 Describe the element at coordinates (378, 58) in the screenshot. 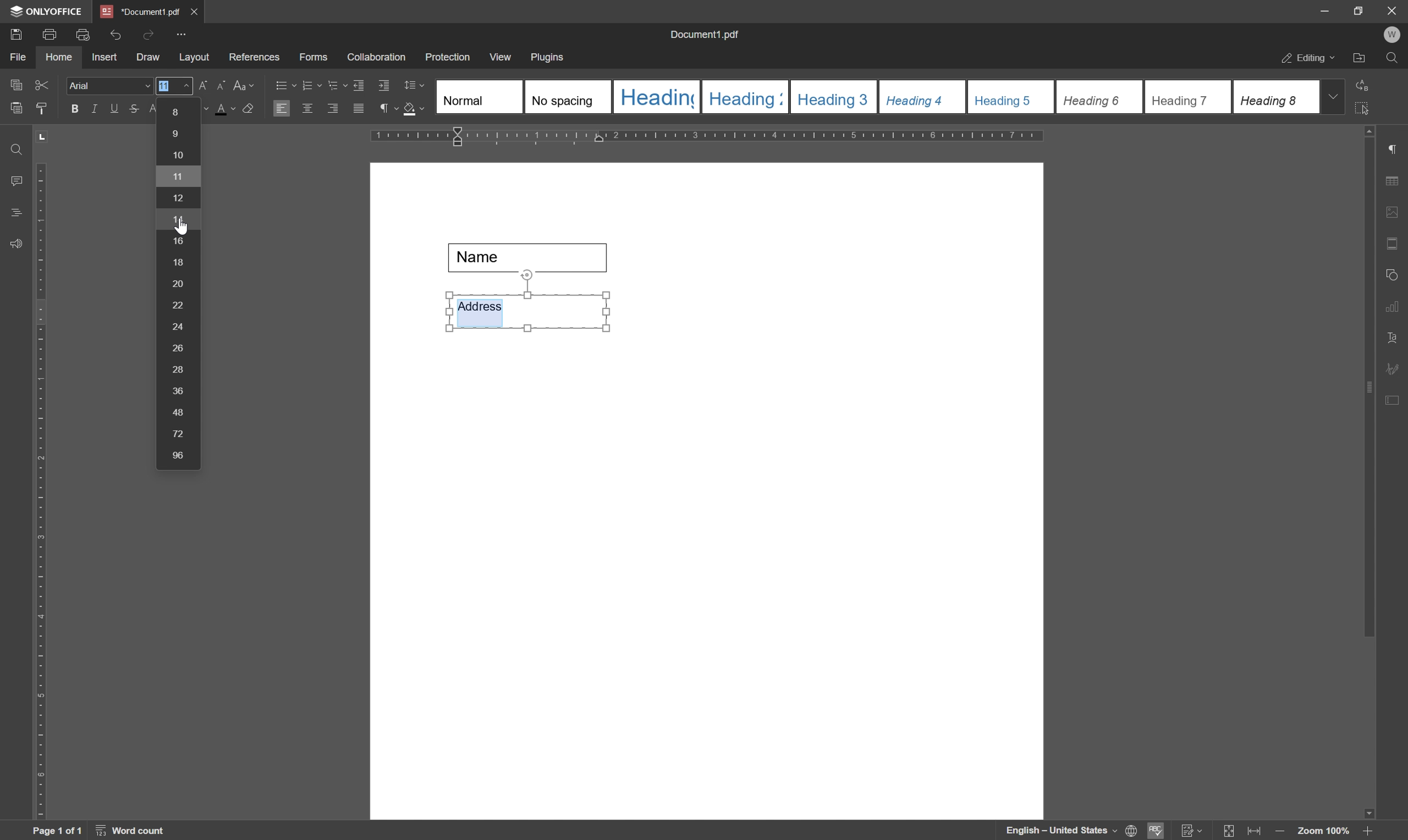

I see `collaboration` at that location.